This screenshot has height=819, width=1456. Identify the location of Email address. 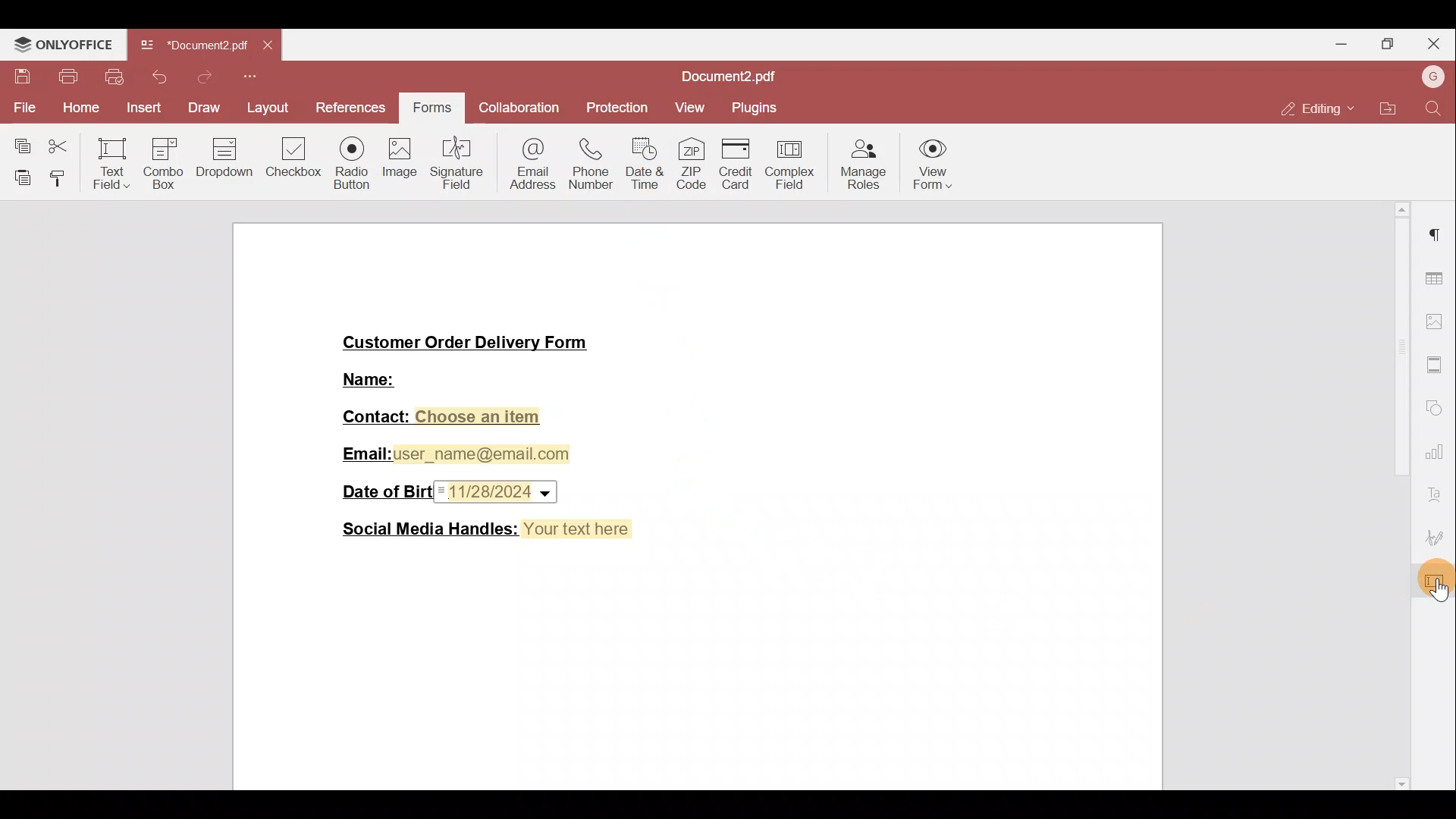
(531, 162).